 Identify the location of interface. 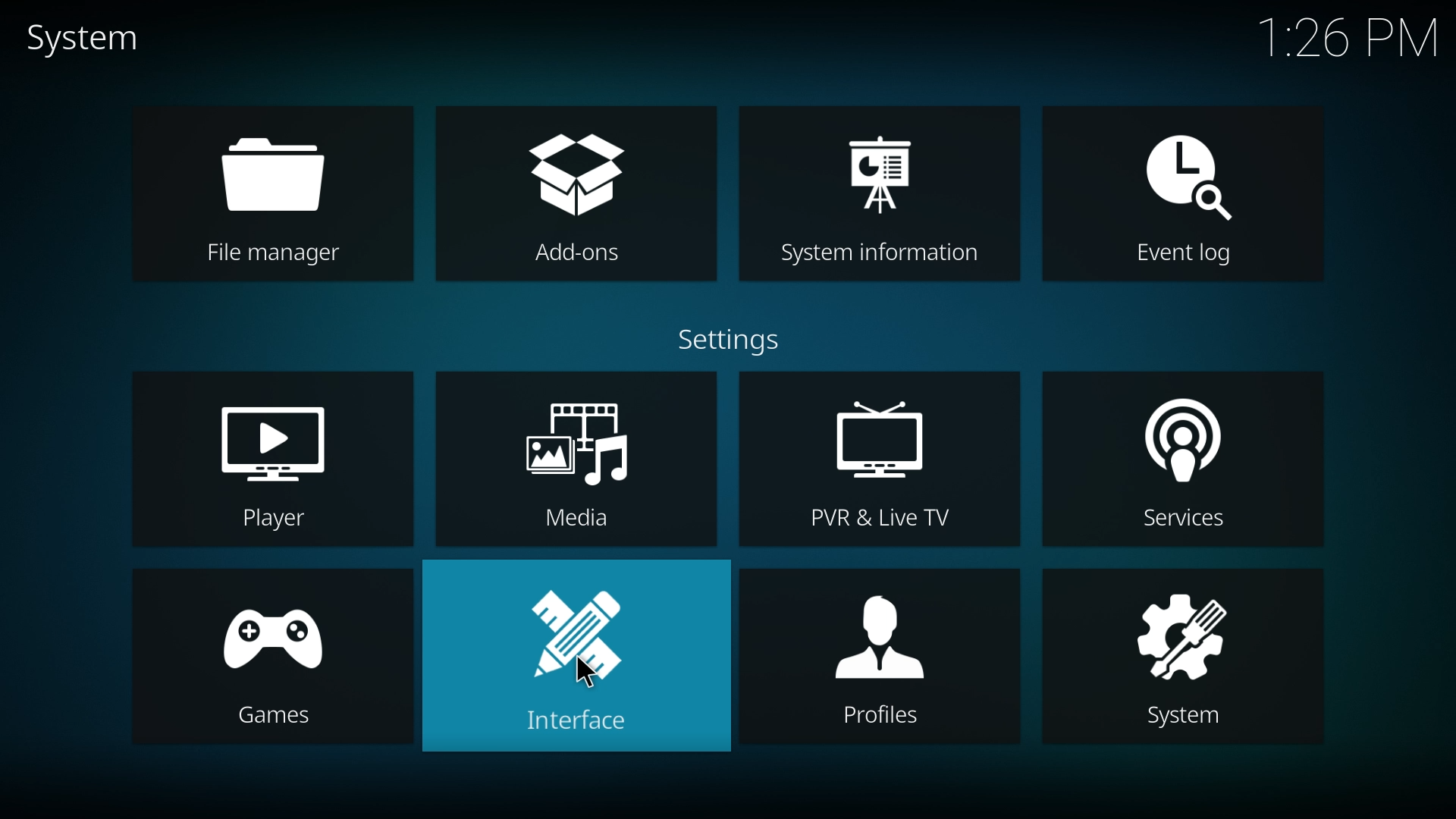
(576, 656).